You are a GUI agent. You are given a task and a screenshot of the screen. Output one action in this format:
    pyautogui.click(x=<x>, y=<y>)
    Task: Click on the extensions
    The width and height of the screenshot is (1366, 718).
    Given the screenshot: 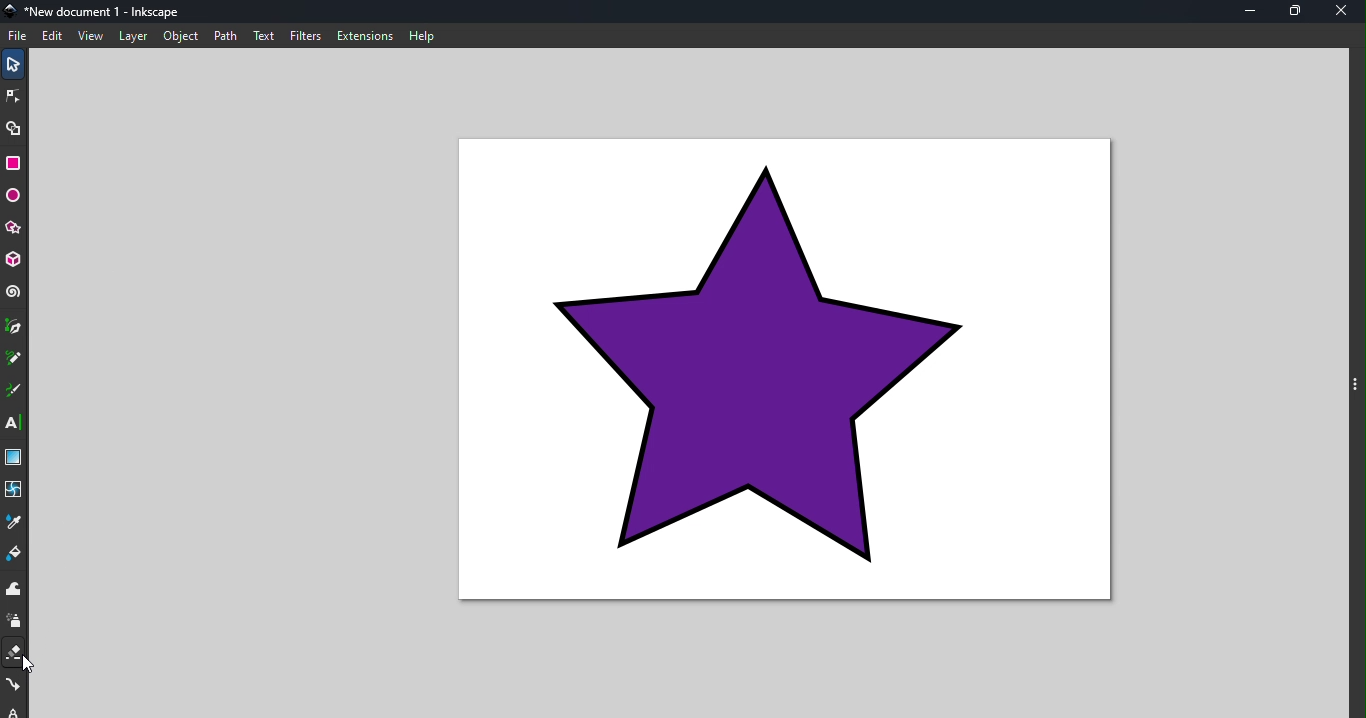 What is the action you would take?
    pyautogui.click(x=366, y=36)
    